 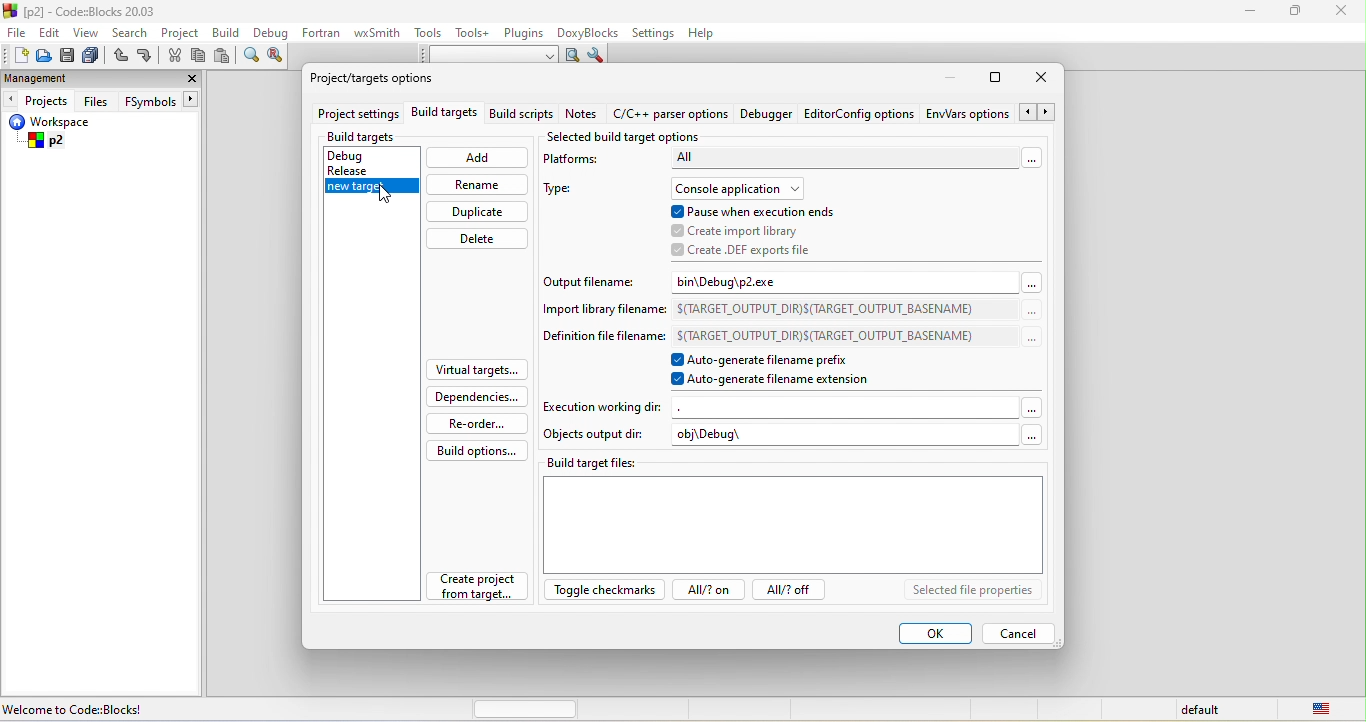 I want to click on Import library filename: S(TARGET_OUTPUT_DIR)S(TARGET_OUTPUT_BASENAME), so click(x=787, y=308).